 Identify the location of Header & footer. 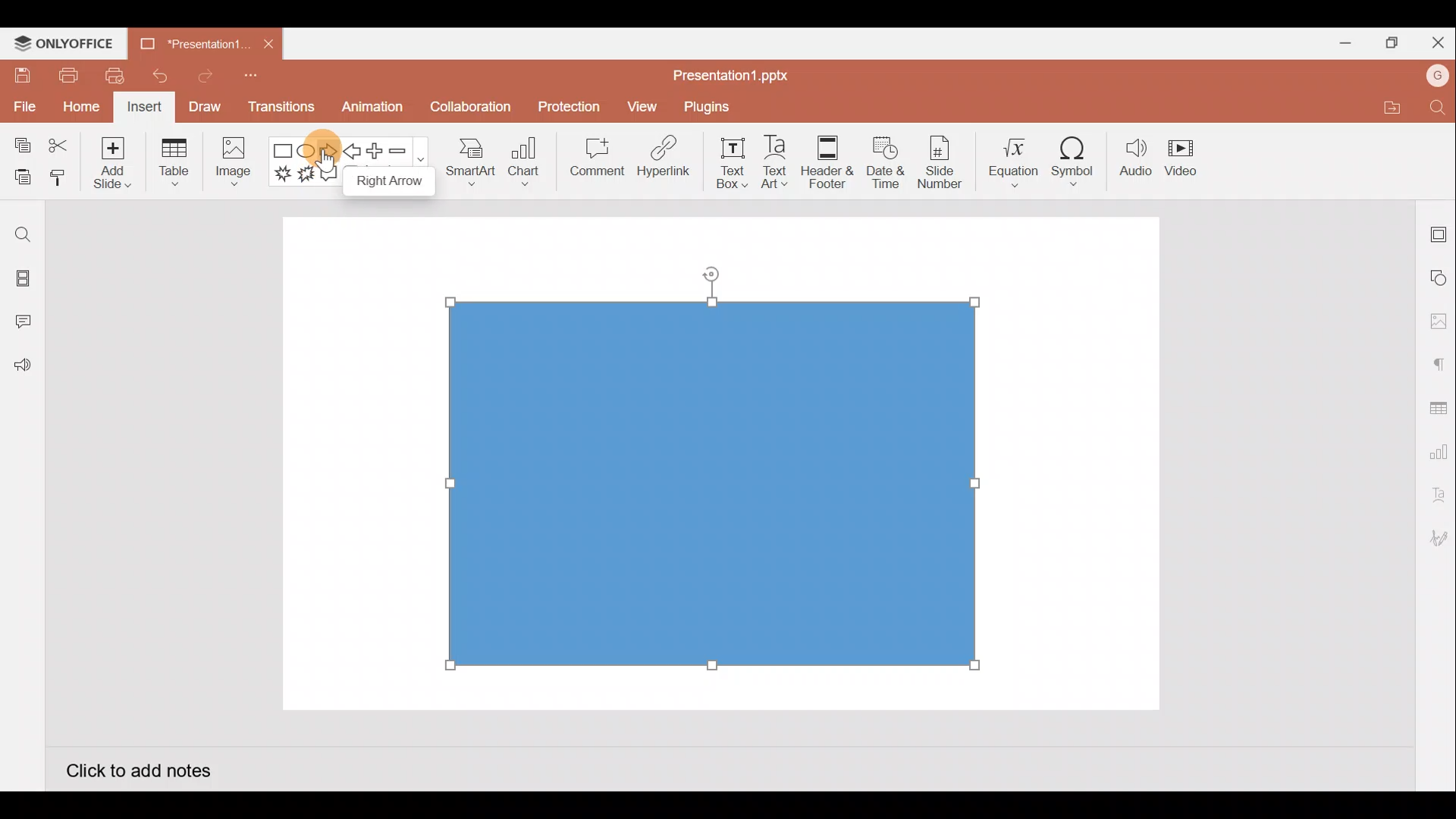
(828, 158).